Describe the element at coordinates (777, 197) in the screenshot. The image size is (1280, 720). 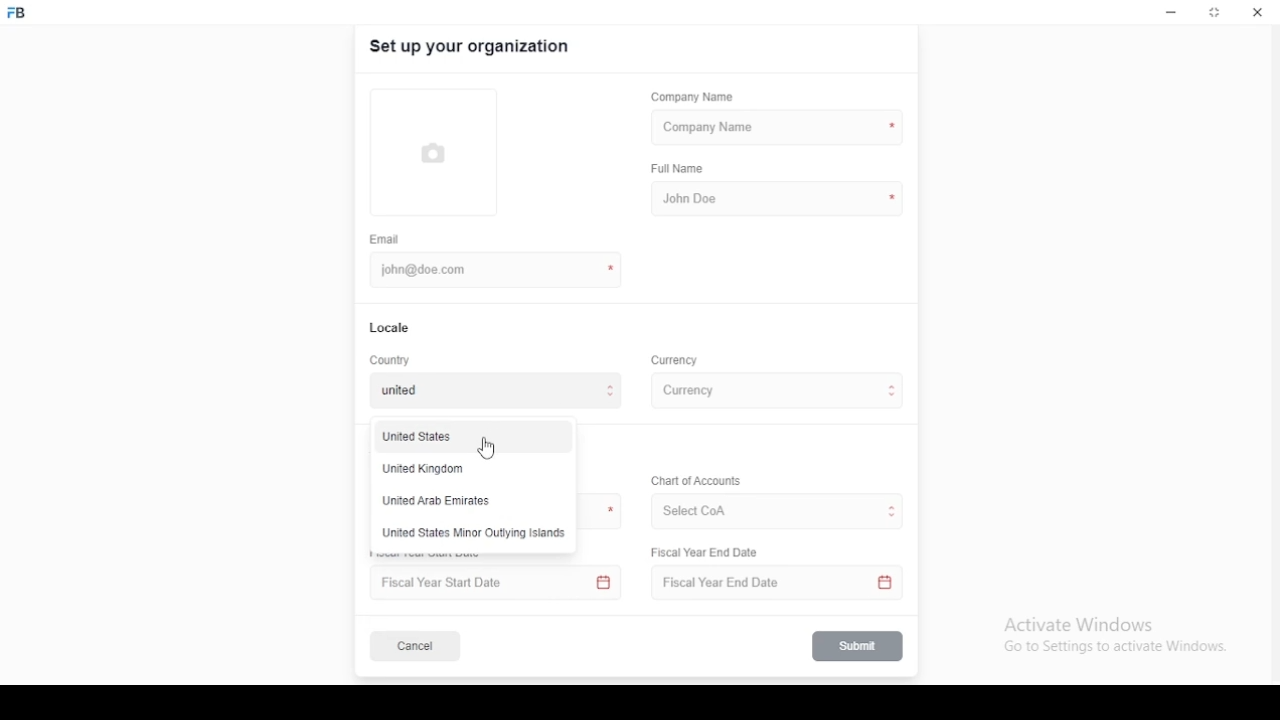
I see `john doe` at that location.